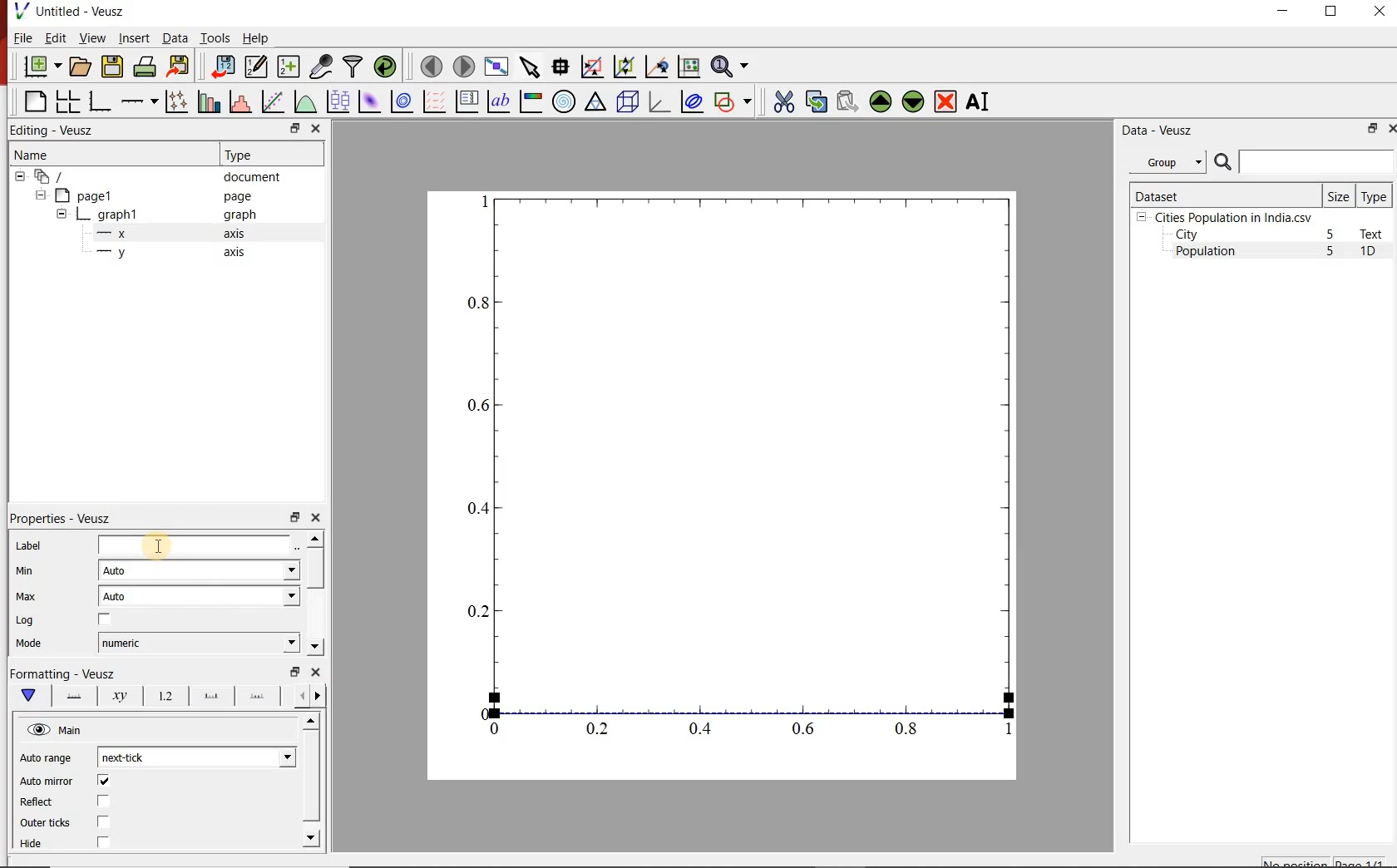 Image resolution: width=1397 pixels, height=868 pixels. Describe the element at coordinates (384, 67) in the screenshot. I see `reload linked datasets` at that location.